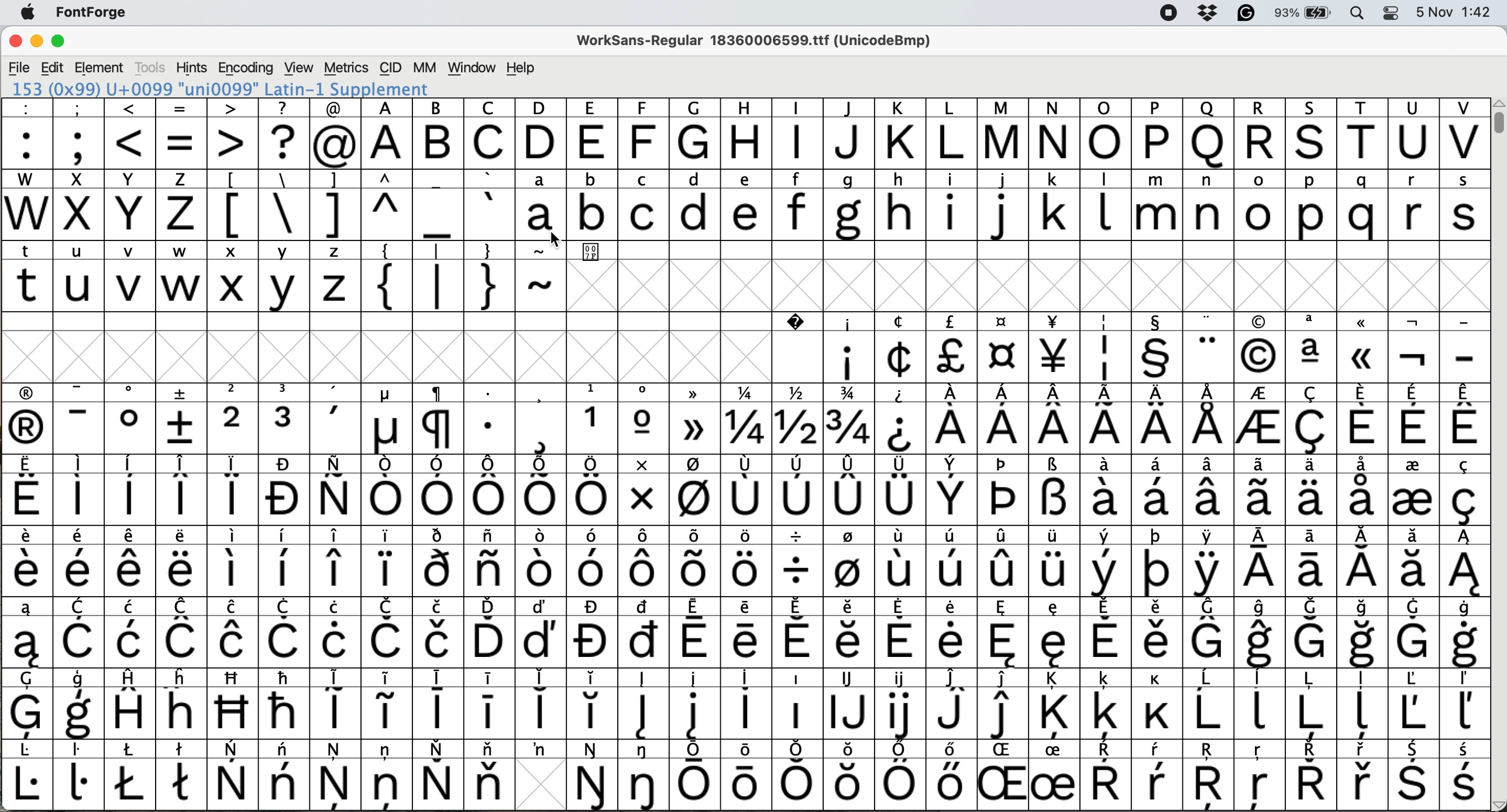 The height and width of the screenshot is (812, 1507). What do you see at coordinates (1259, 348) in the screenshot?
I see `` at bounding box center [1259, 348].